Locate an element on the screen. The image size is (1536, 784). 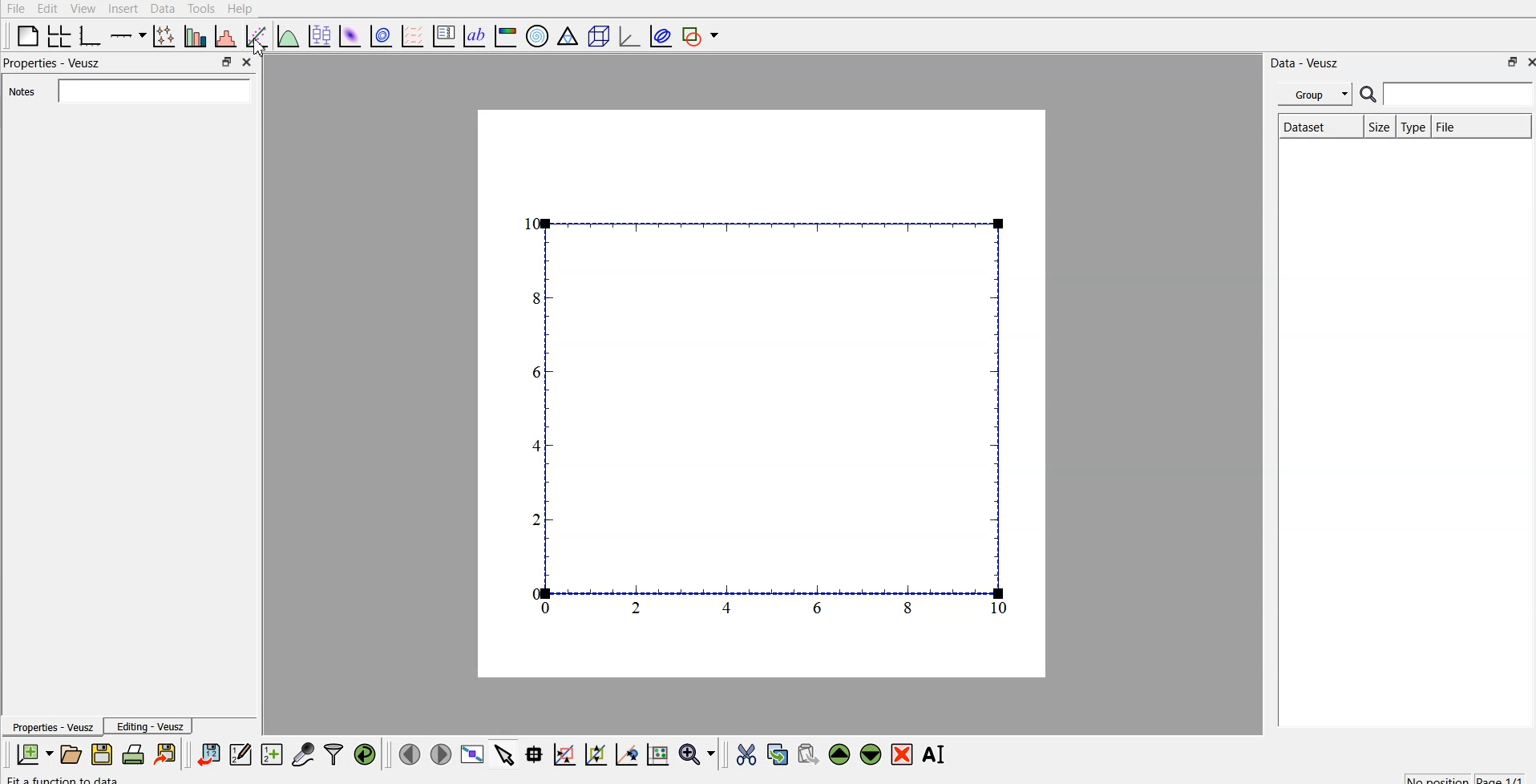
new document is located at coordinates (27, 755).